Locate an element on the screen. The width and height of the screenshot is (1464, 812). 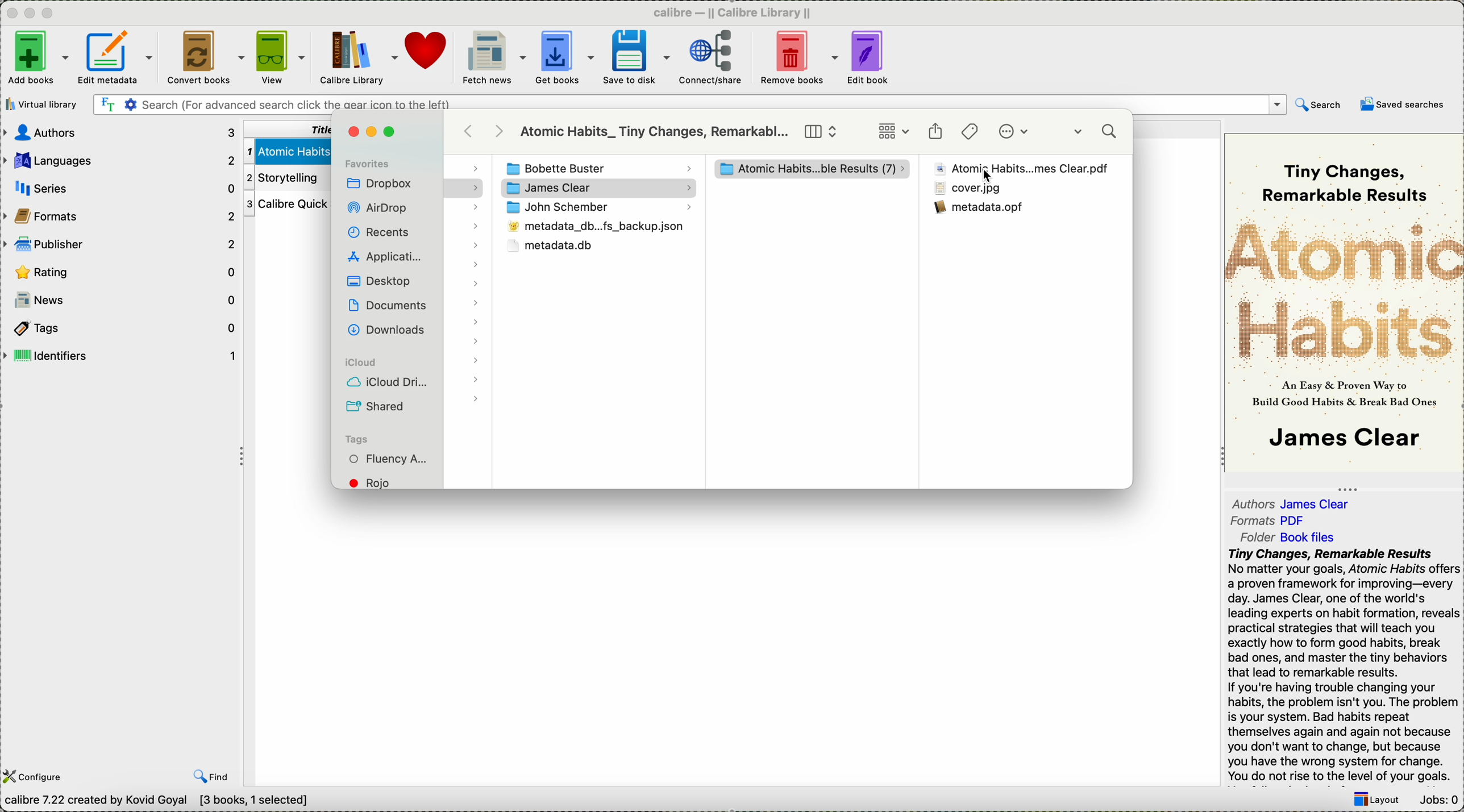
red tag is located at coordinates (377, 482).